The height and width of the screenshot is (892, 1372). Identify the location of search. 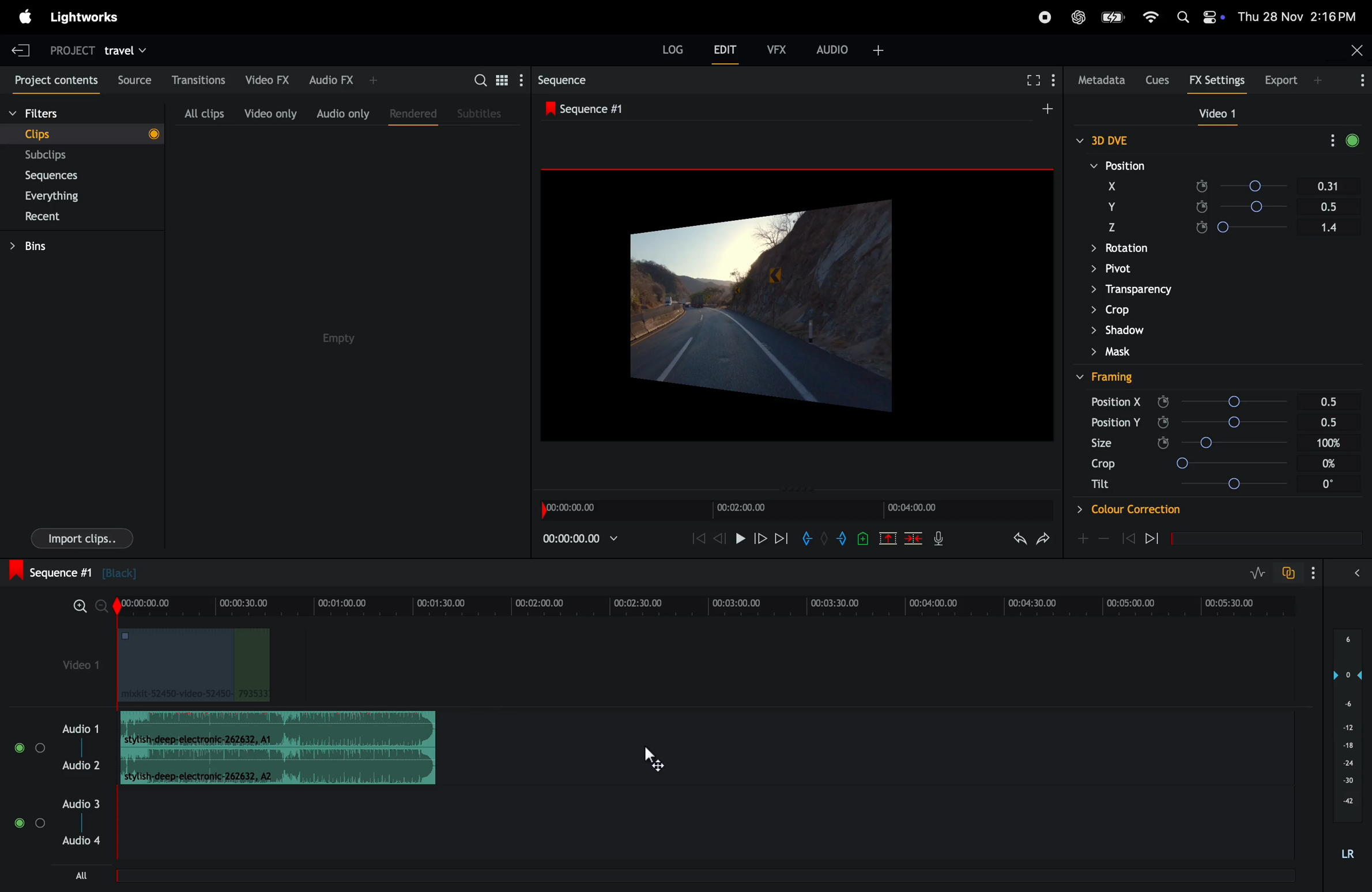
(495, 79).